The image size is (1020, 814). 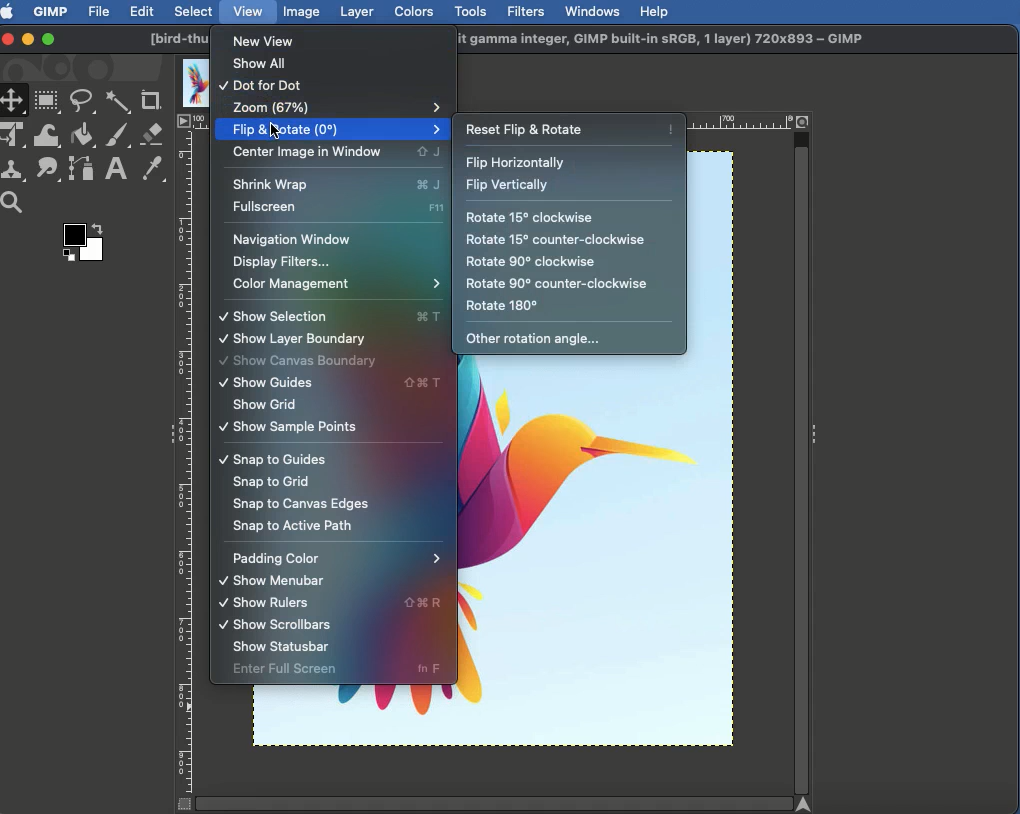 I want to click on Fil and rotate, so click(x=327, y=131).